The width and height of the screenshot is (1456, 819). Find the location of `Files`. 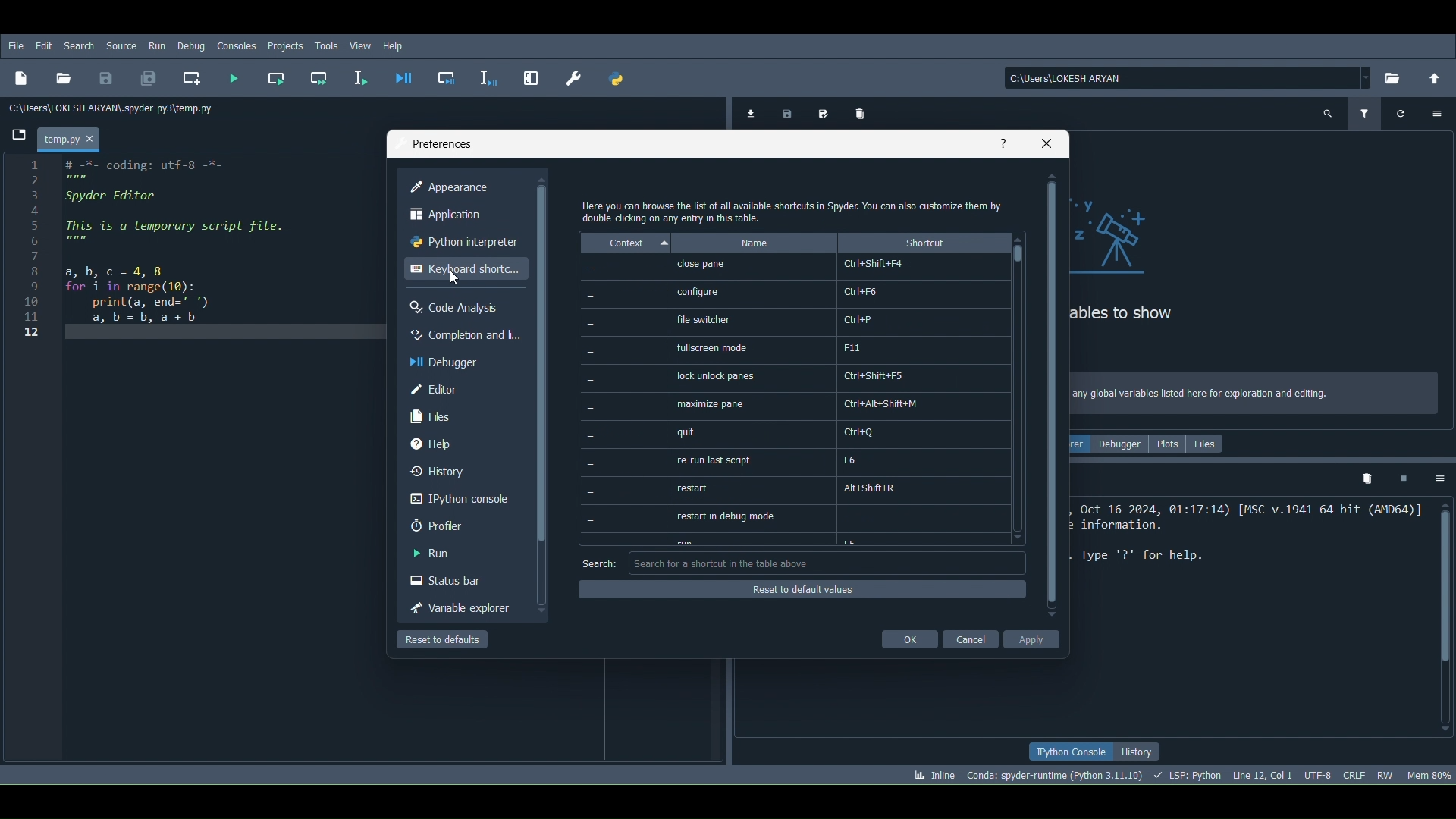

Files is located at coordinates (1209, 441).